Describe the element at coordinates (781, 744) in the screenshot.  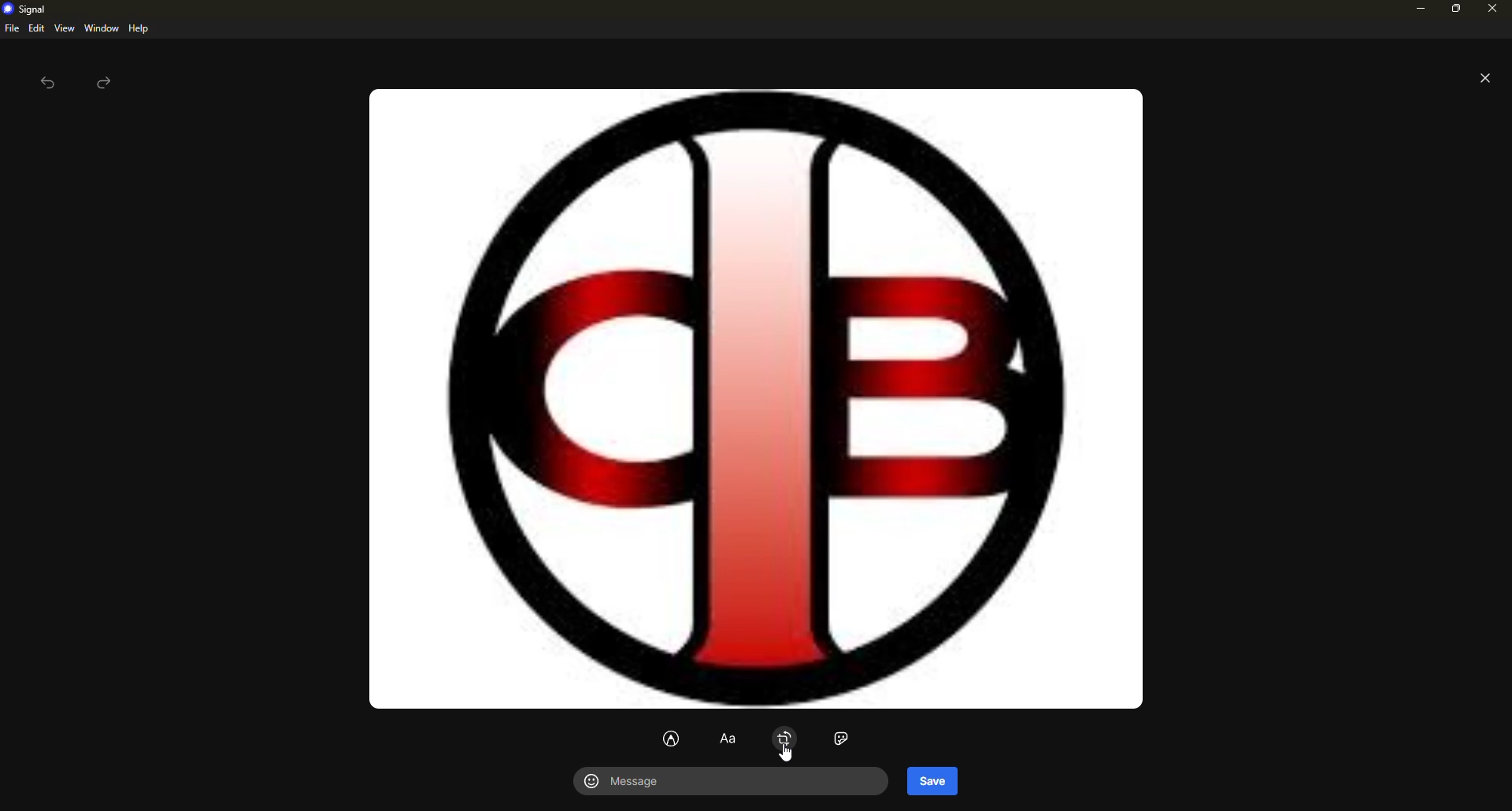
I see `cursor on rotate` at that location.